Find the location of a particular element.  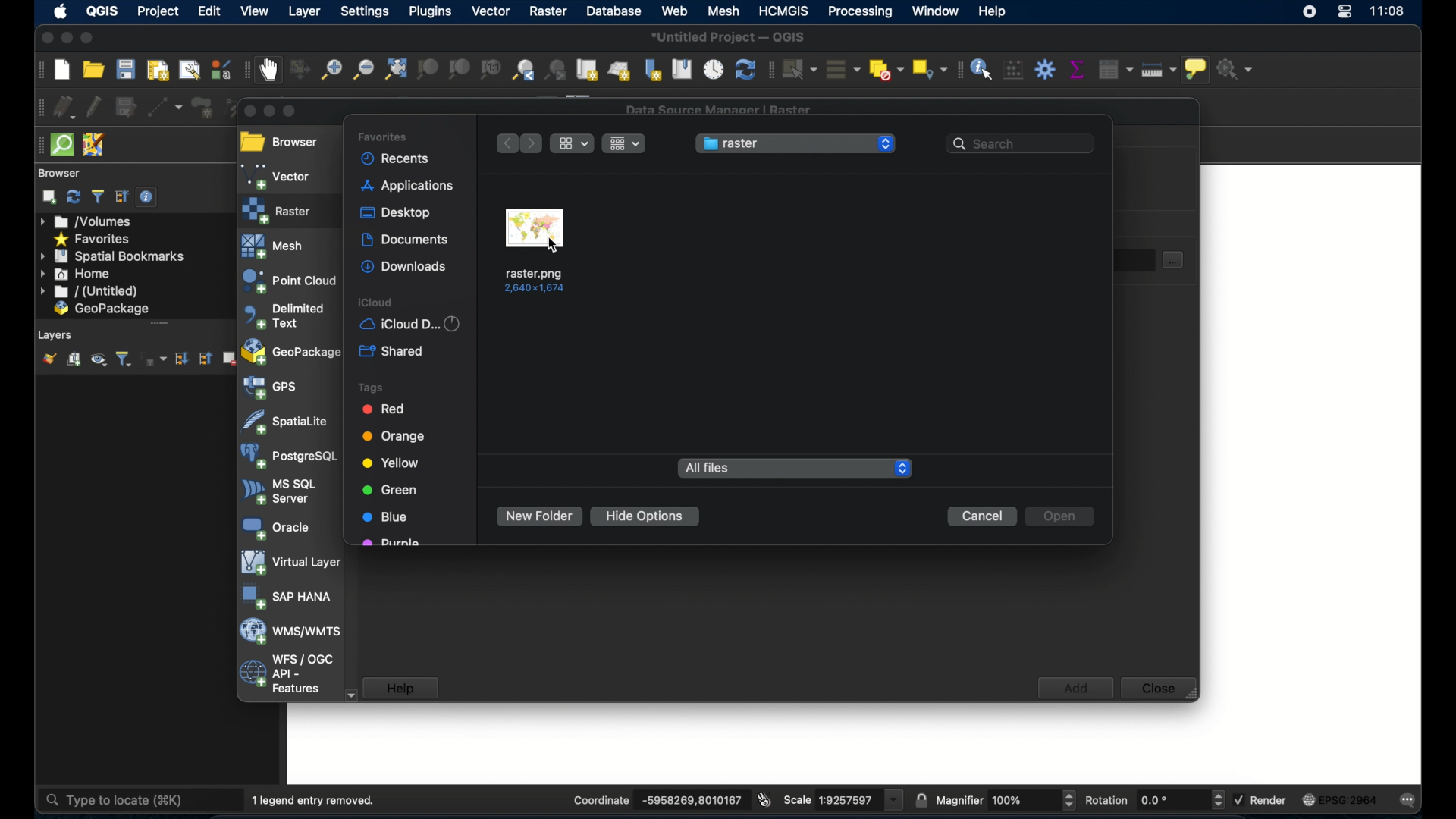

 is located at coordinates (1012, 800).